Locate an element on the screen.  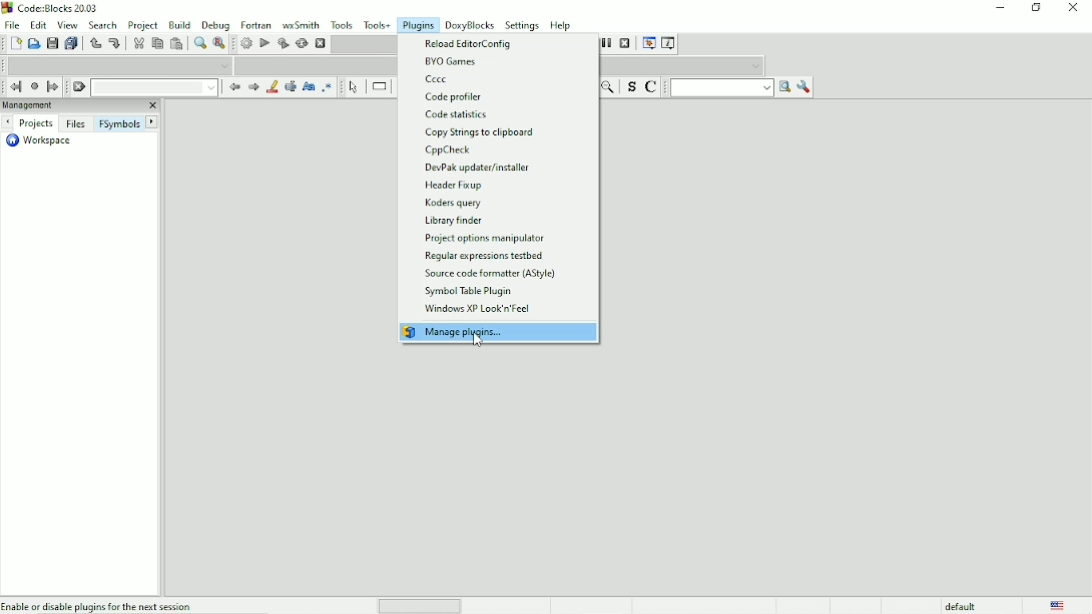
File is located at coordinates (10, 24).